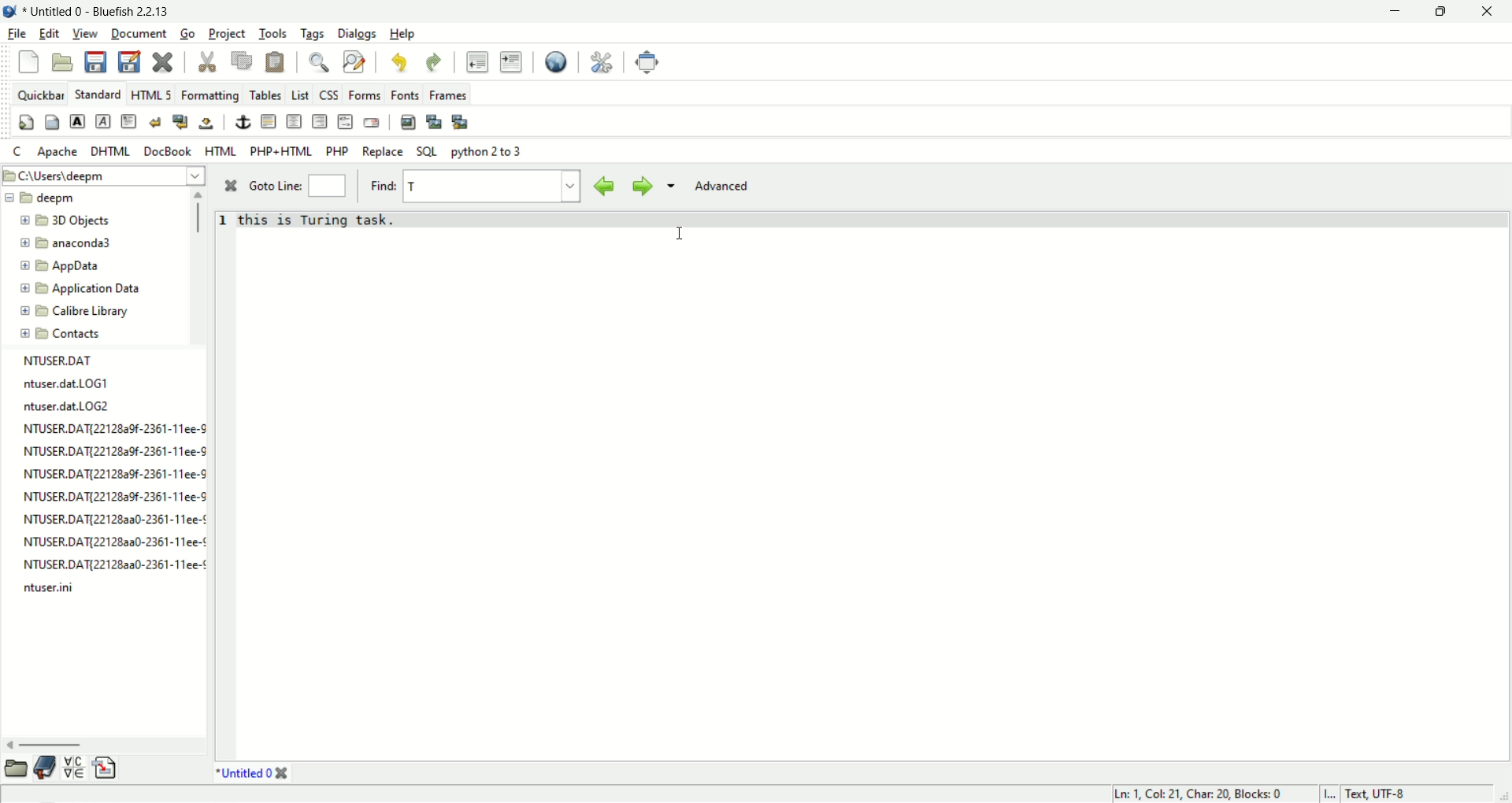 The width and height of the screenshot is (1512, 803). I want to click on Help, so click(402, 34).